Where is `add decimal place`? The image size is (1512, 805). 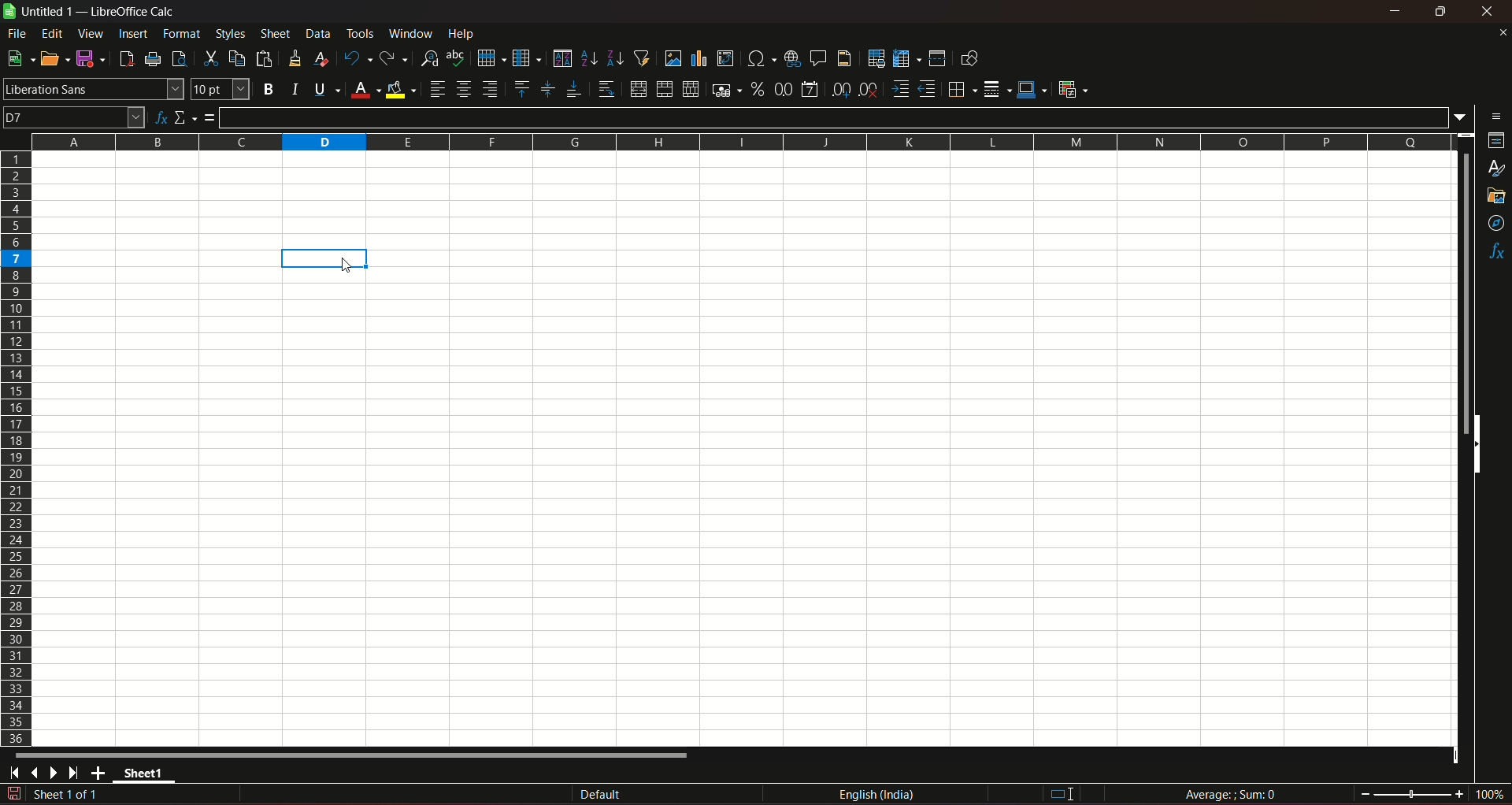 add decimal place is located at coordinates (838, 90).